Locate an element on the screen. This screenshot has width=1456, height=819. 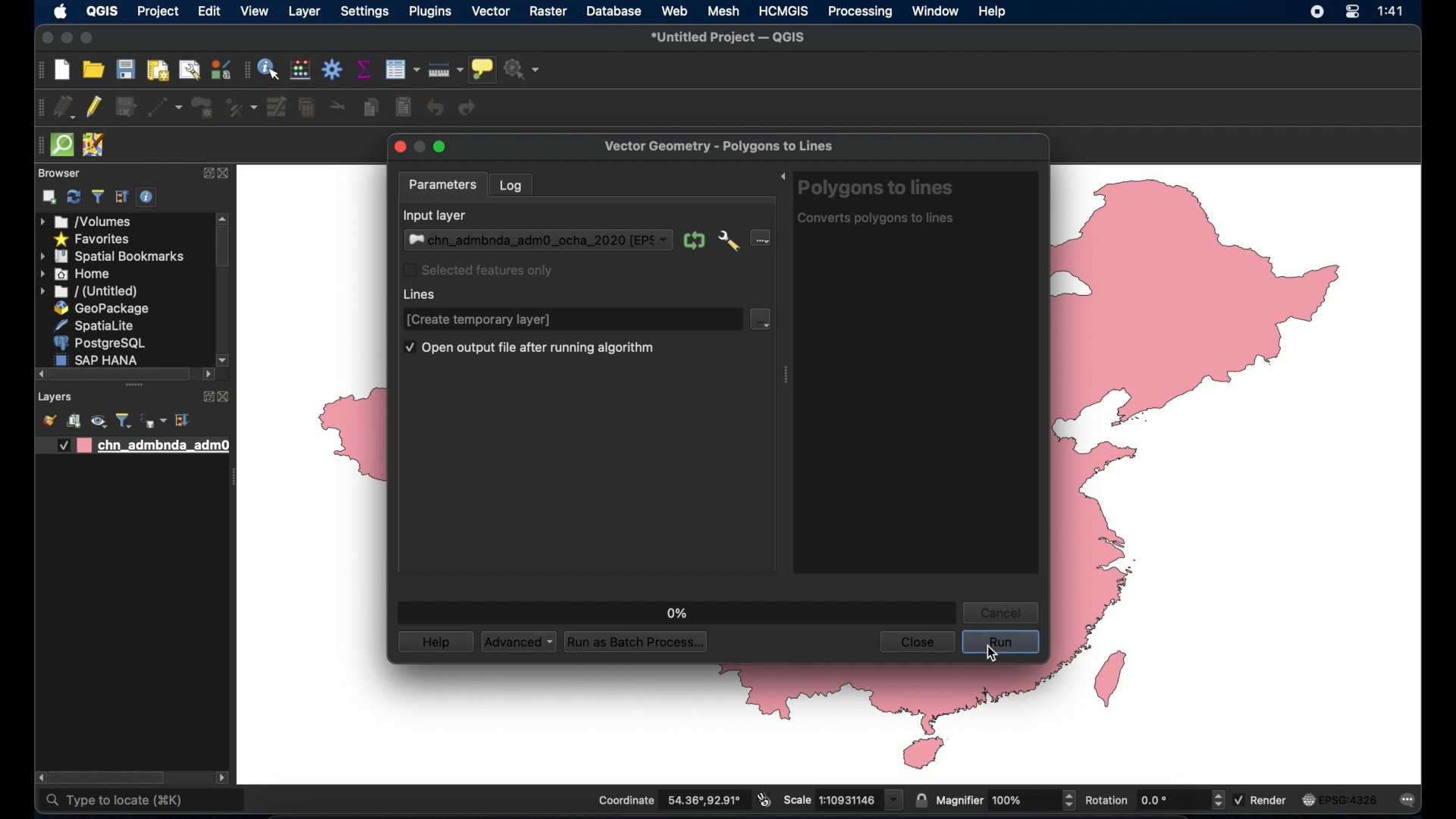
view is located at coordinates (255, 11).